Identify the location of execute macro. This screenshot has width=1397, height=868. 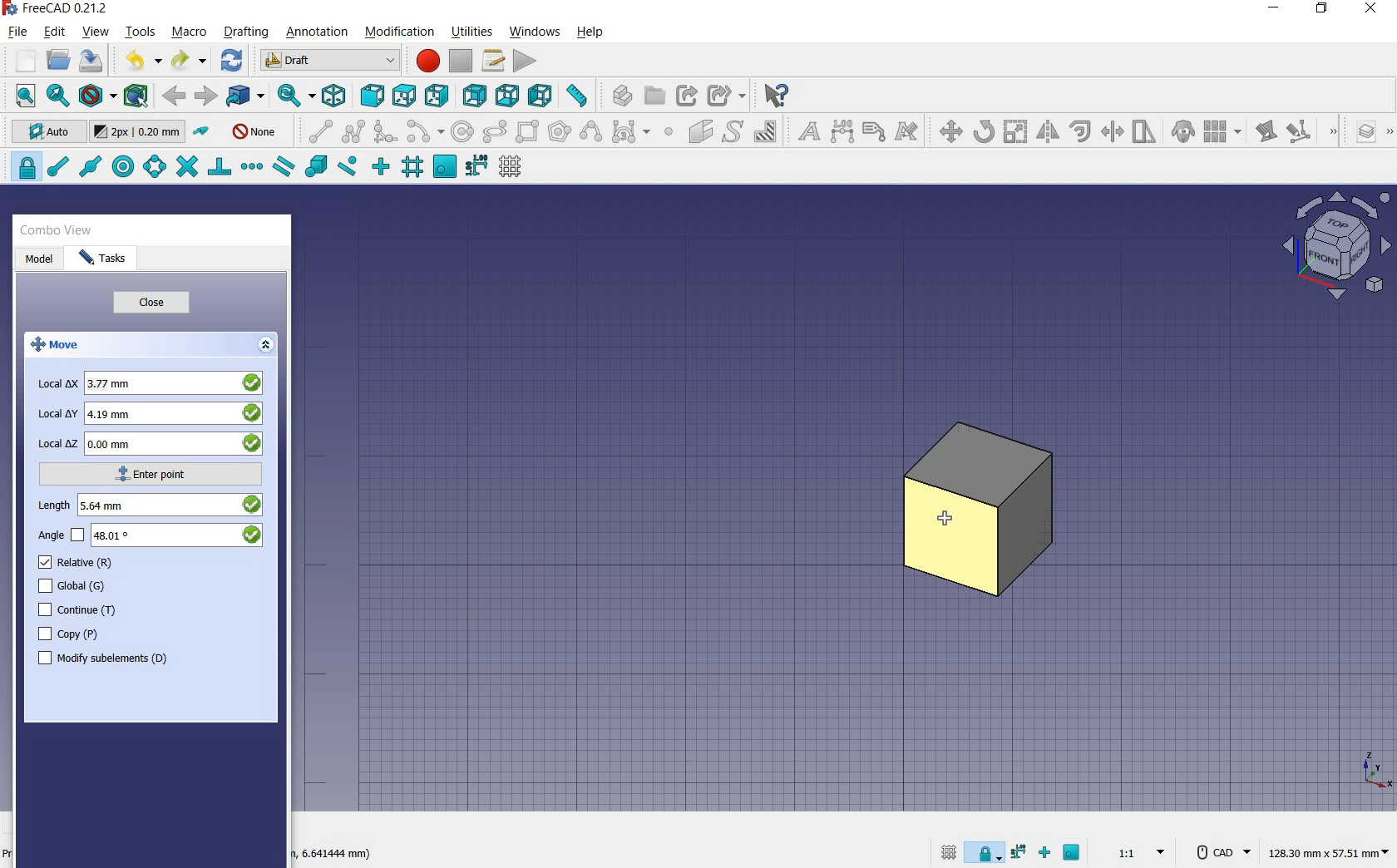
(524, 62).